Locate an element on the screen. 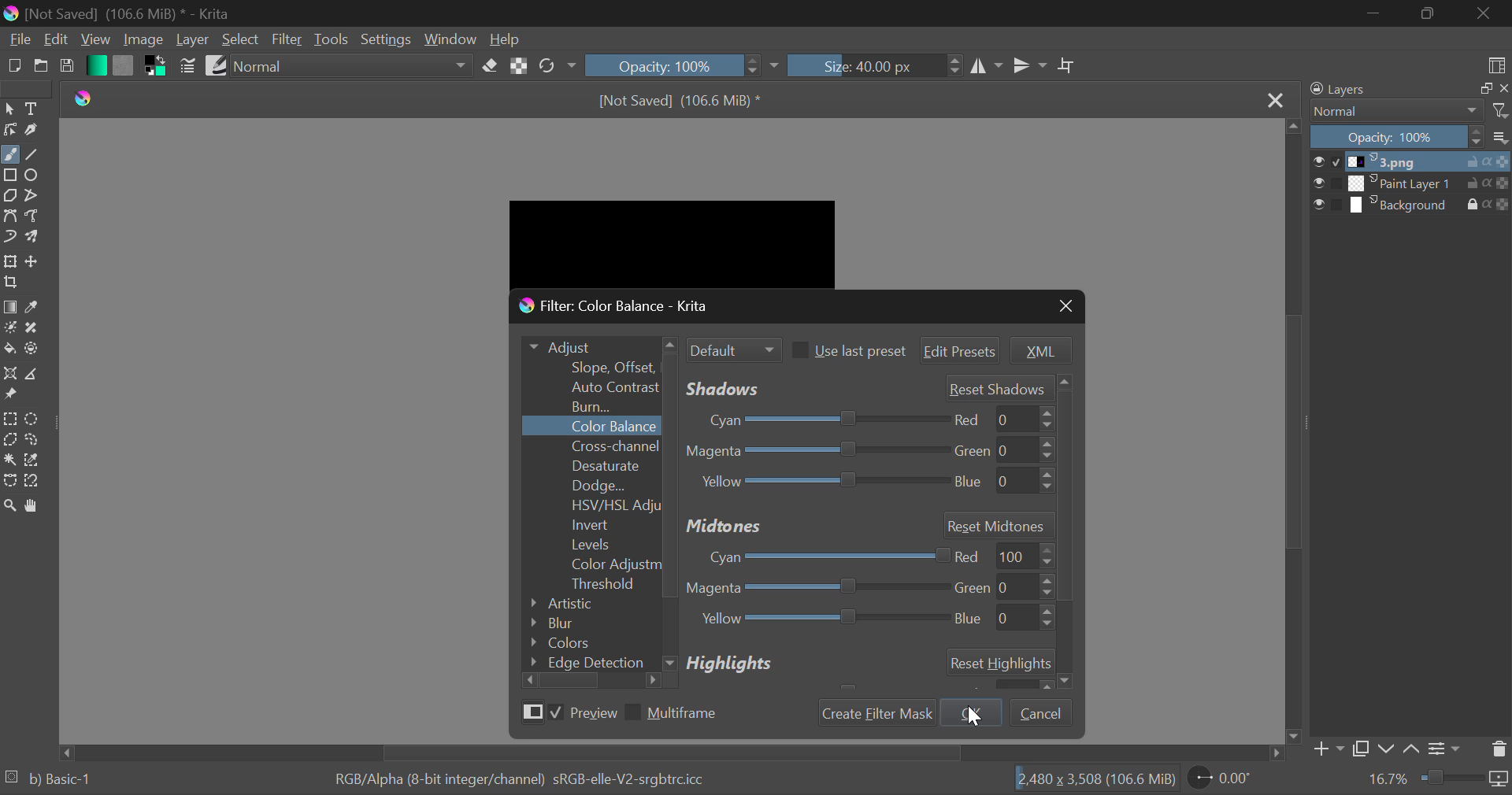 This screenshot has width=1512, height=795. move down is located at coordinates (1297, 735).